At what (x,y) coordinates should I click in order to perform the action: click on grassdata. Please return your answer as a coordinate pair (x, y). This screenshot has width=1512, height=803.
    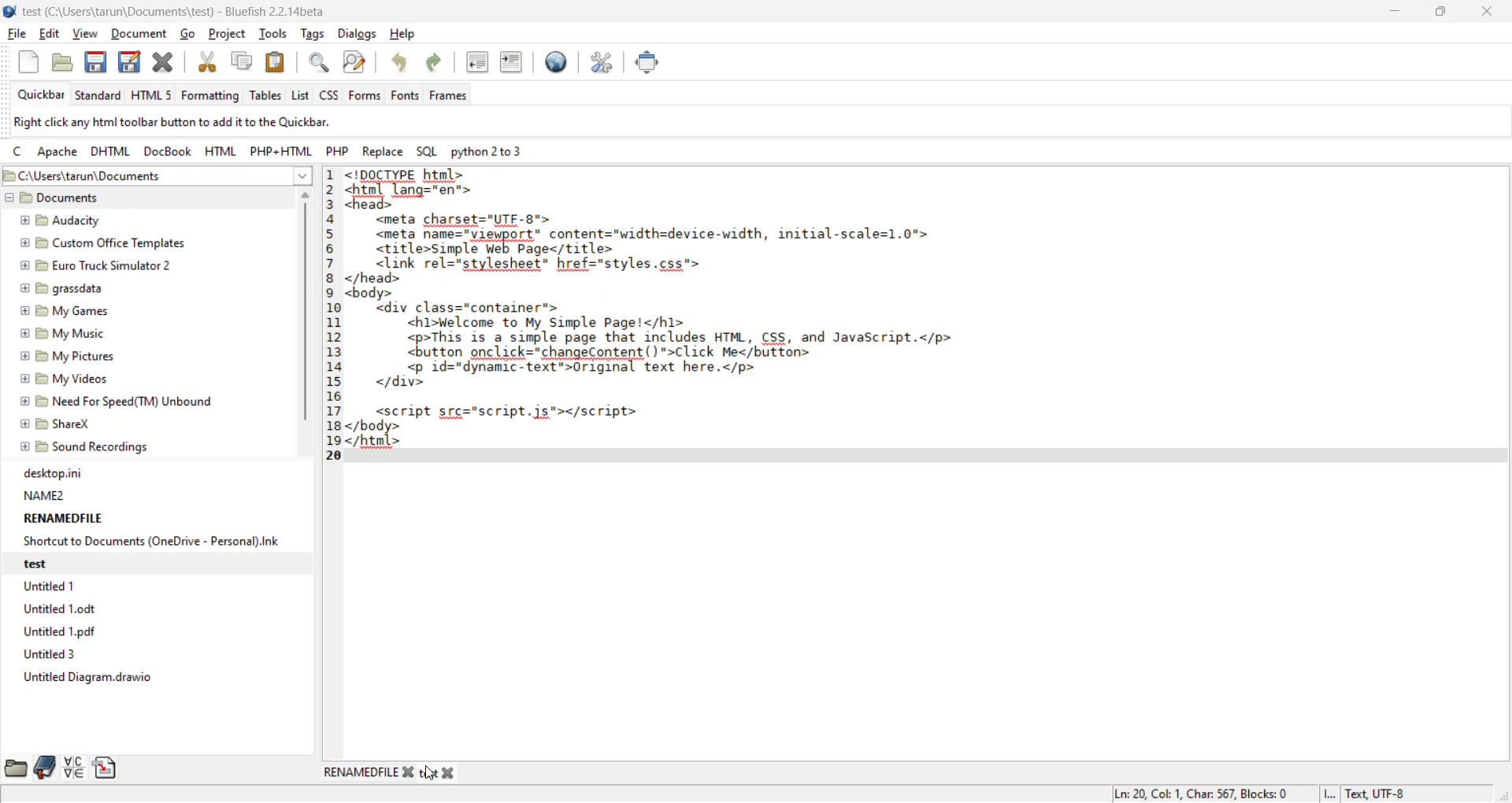
    Looking at the image, I should click on (65, 290).